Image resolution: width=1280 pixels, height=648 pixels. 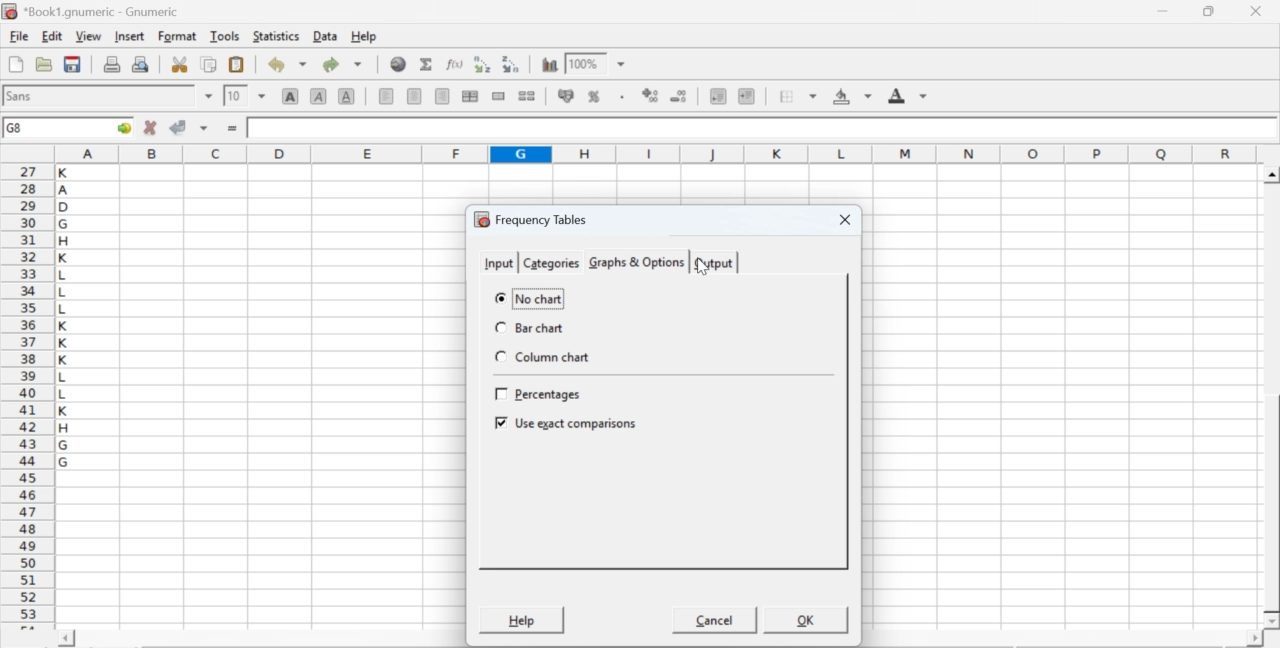 What do you see at coordinates (15, 64) in the screenshot?
I see `new` at bounding box center [15, 64].